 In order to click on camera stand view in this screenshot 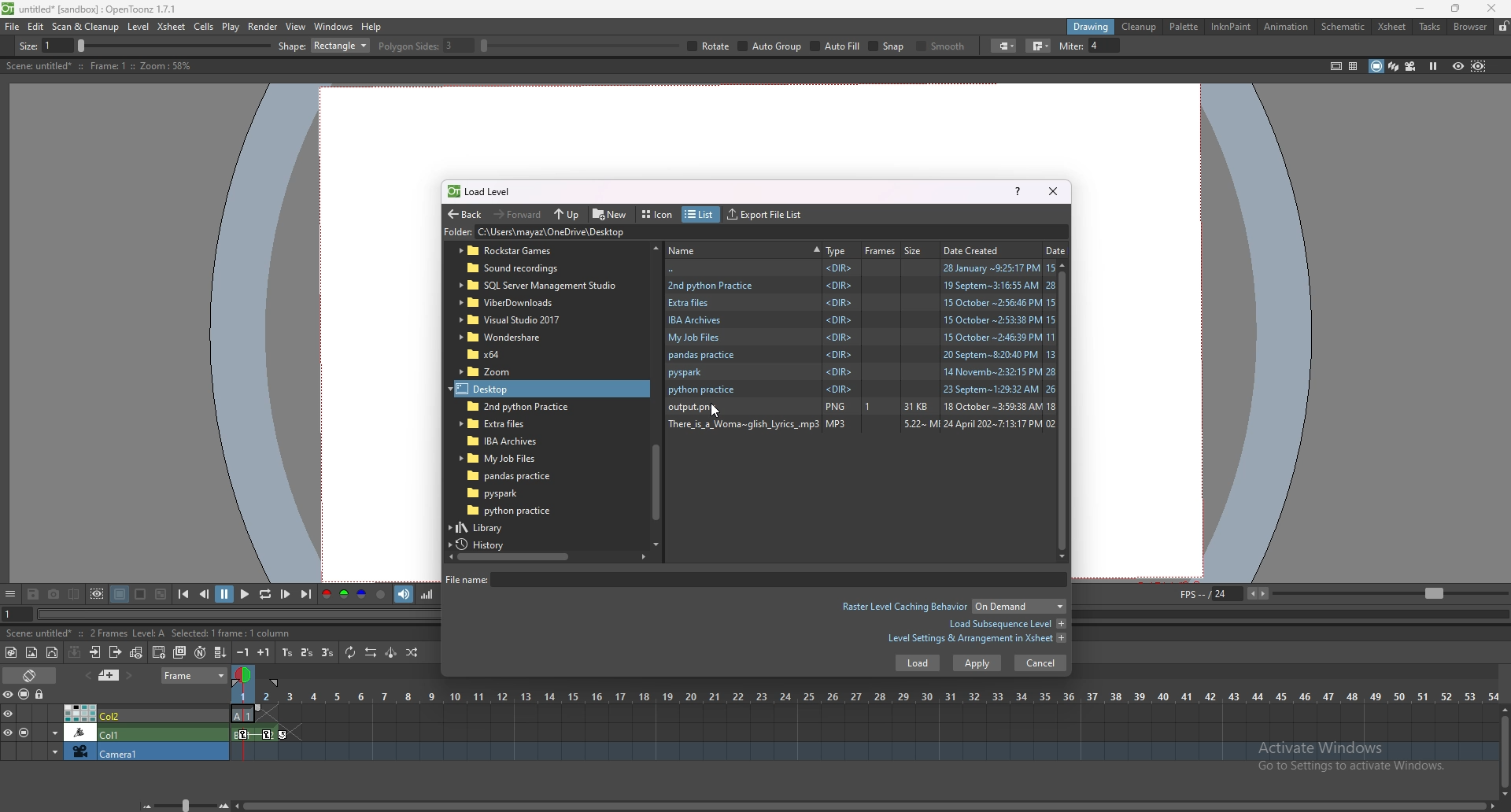, I will do `click(1375, 66)`.